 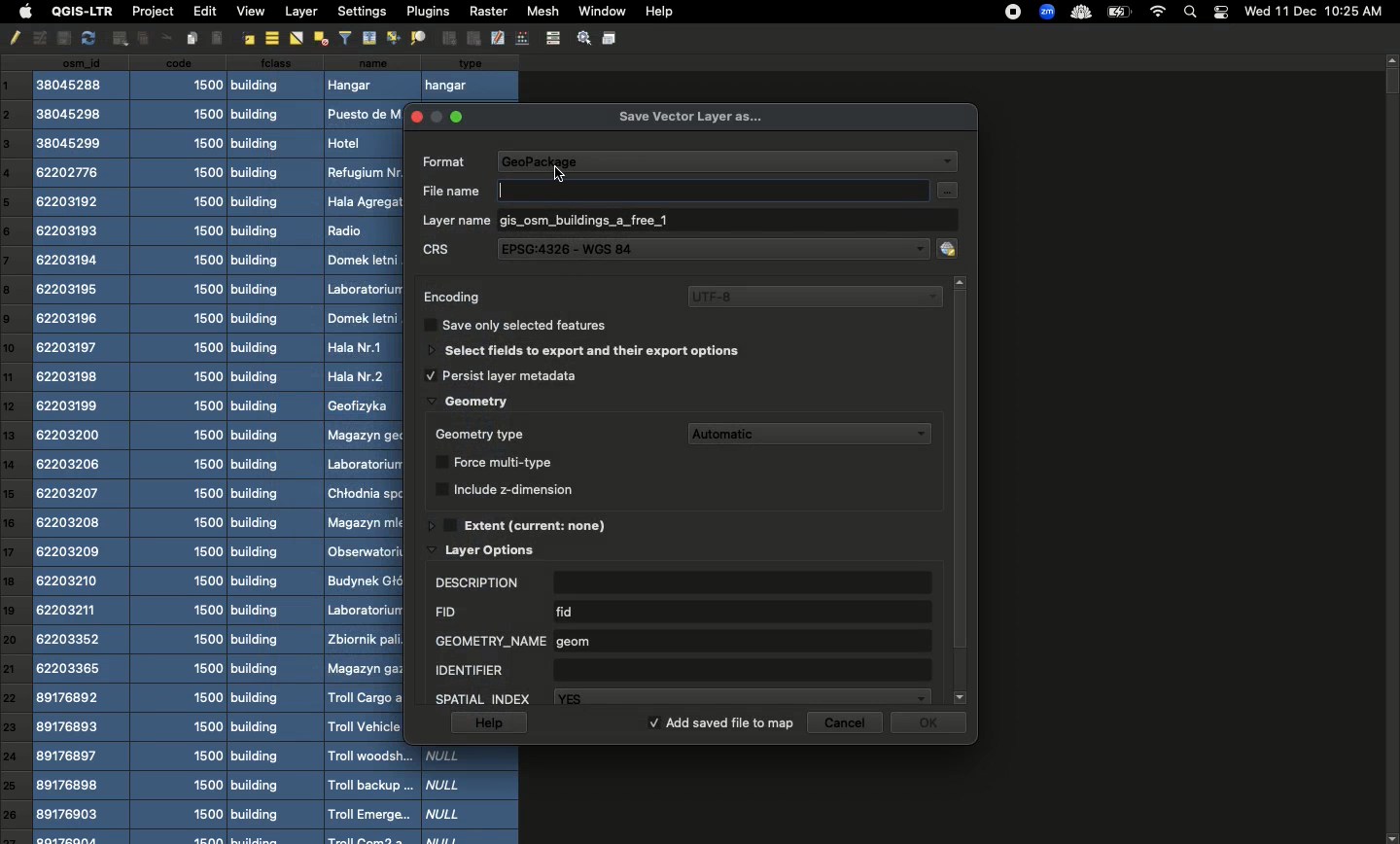 I want to click on code, so click(x=181, y=449).